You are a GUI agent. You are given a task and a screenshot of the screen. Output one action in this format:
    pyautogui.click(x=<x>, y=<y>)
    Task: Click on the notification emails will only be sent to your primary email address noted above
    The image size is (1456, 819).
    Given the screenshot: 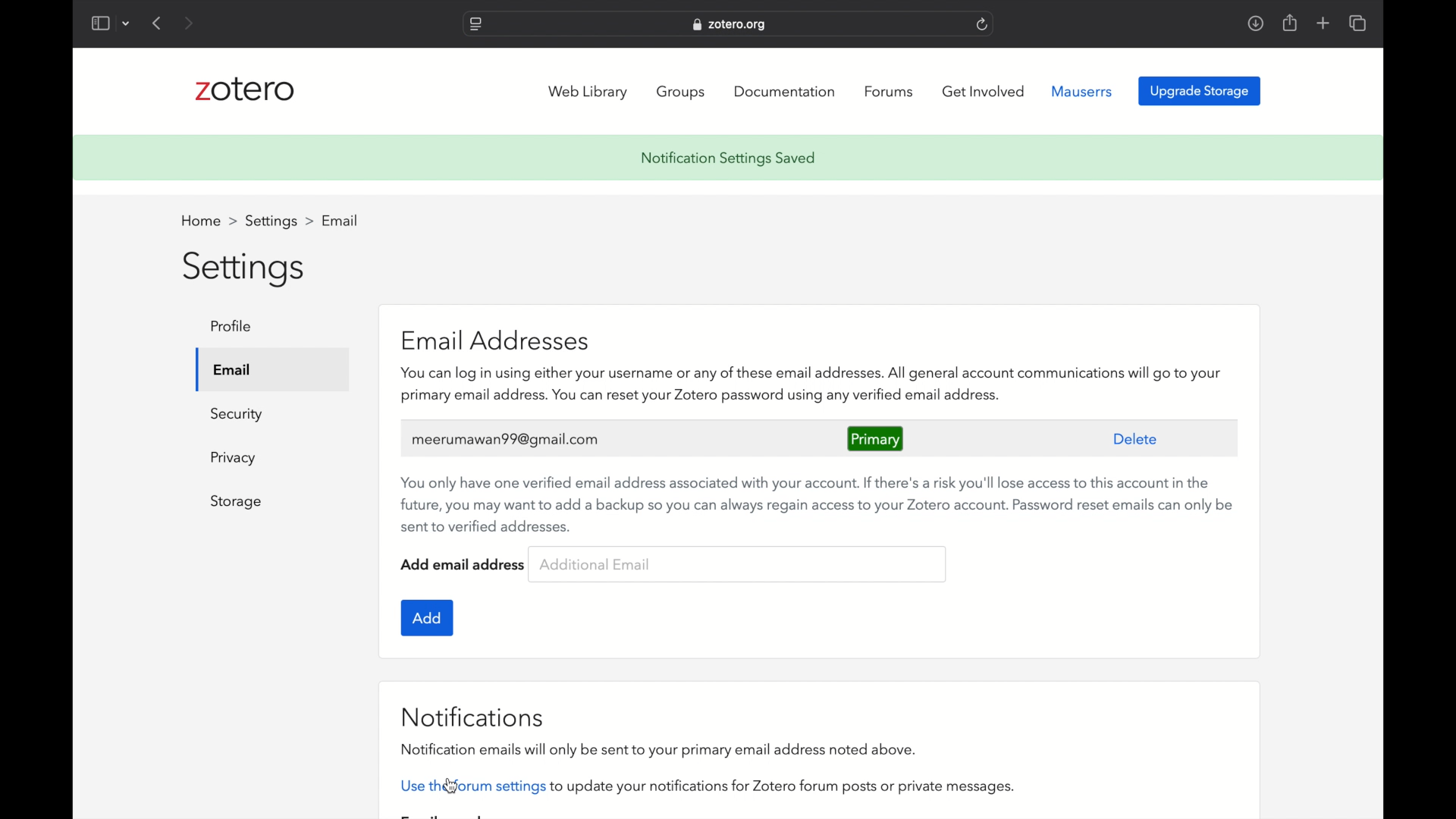 What is the action you would take?
    pyautogui.click(x=655, y=750)
    